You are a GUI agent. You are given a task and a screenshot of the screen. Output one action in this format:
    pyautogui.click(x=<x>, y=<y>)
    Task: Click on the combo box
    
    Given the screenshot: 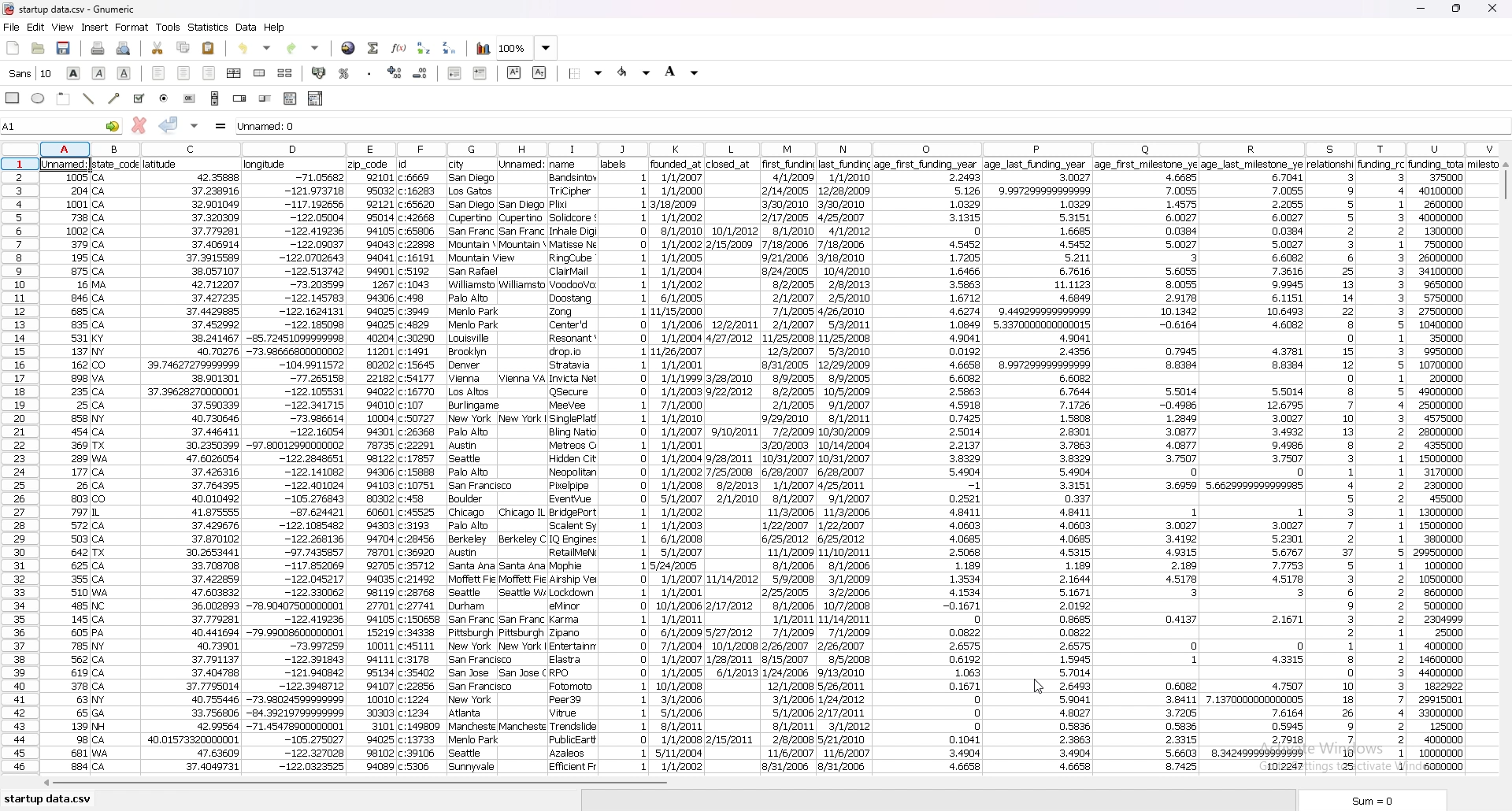 What is the action you would take?
    pyautogui.click(x=317, y=98)
    